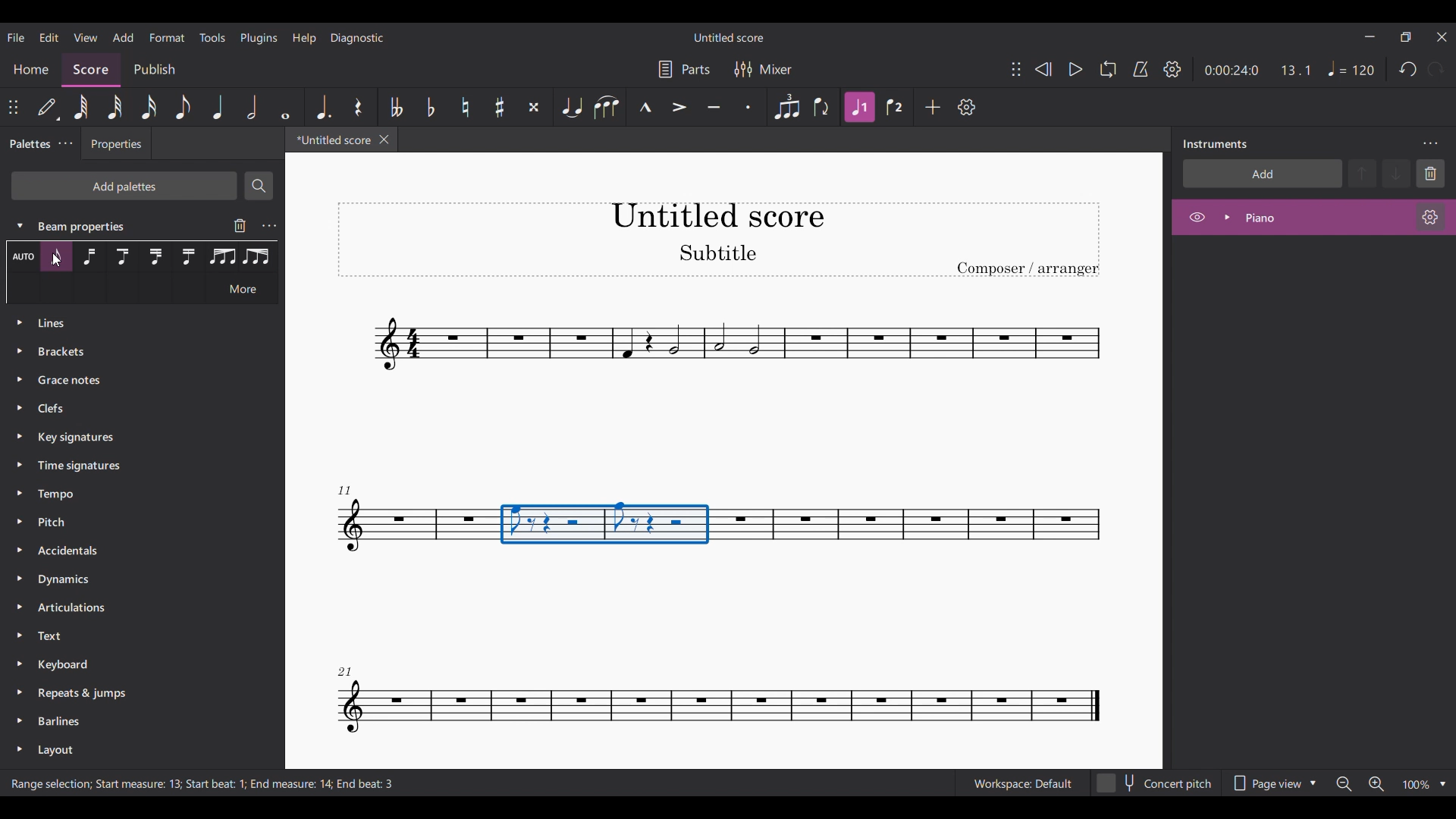 The width and height of the screenshot is (1456, 819). I want to click on Dynamics, so click(127, 579).